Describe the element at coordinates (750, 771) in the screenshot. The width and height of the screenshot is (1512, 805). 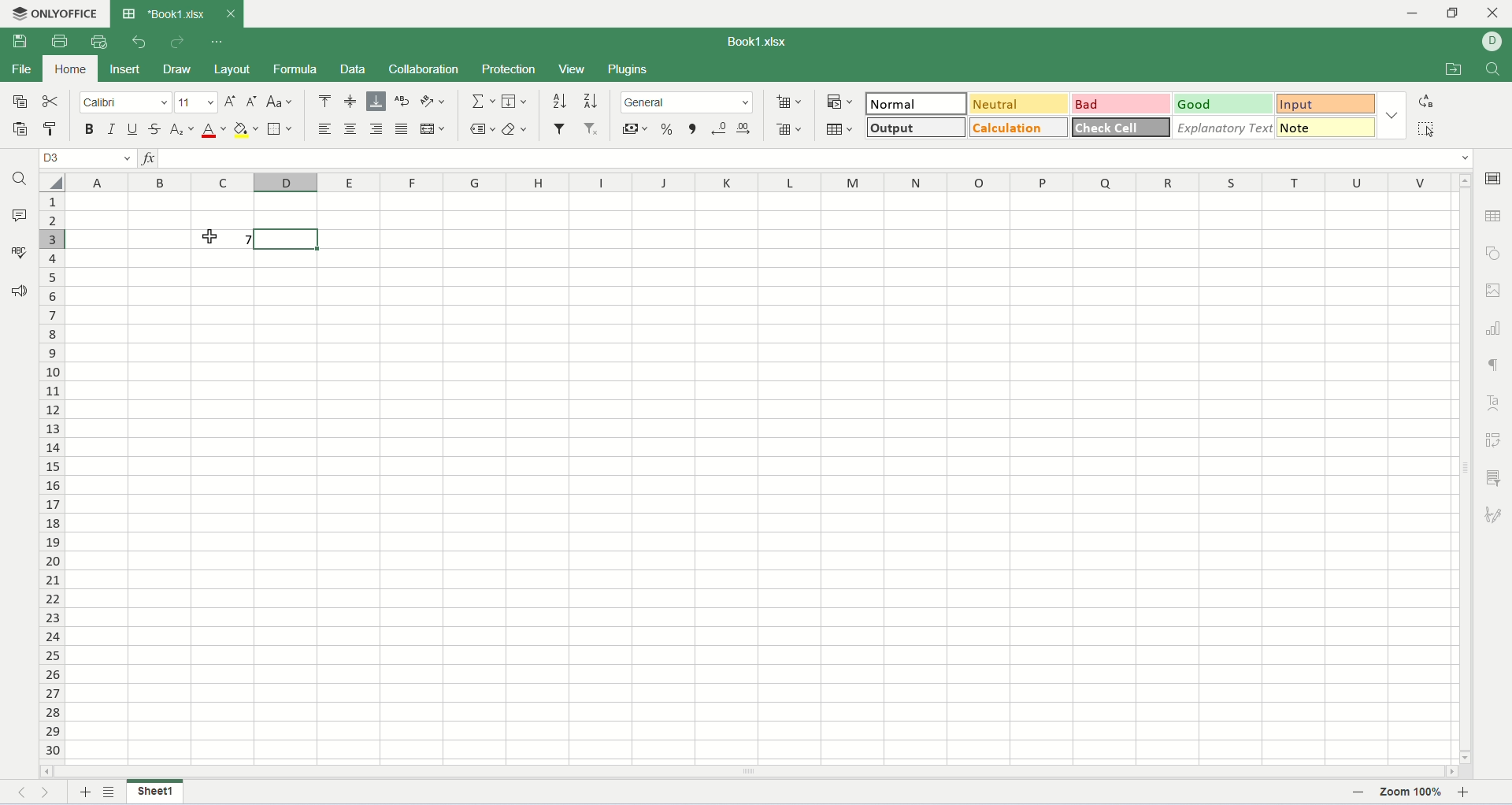
I see `horizontal scroll bar` at that location.